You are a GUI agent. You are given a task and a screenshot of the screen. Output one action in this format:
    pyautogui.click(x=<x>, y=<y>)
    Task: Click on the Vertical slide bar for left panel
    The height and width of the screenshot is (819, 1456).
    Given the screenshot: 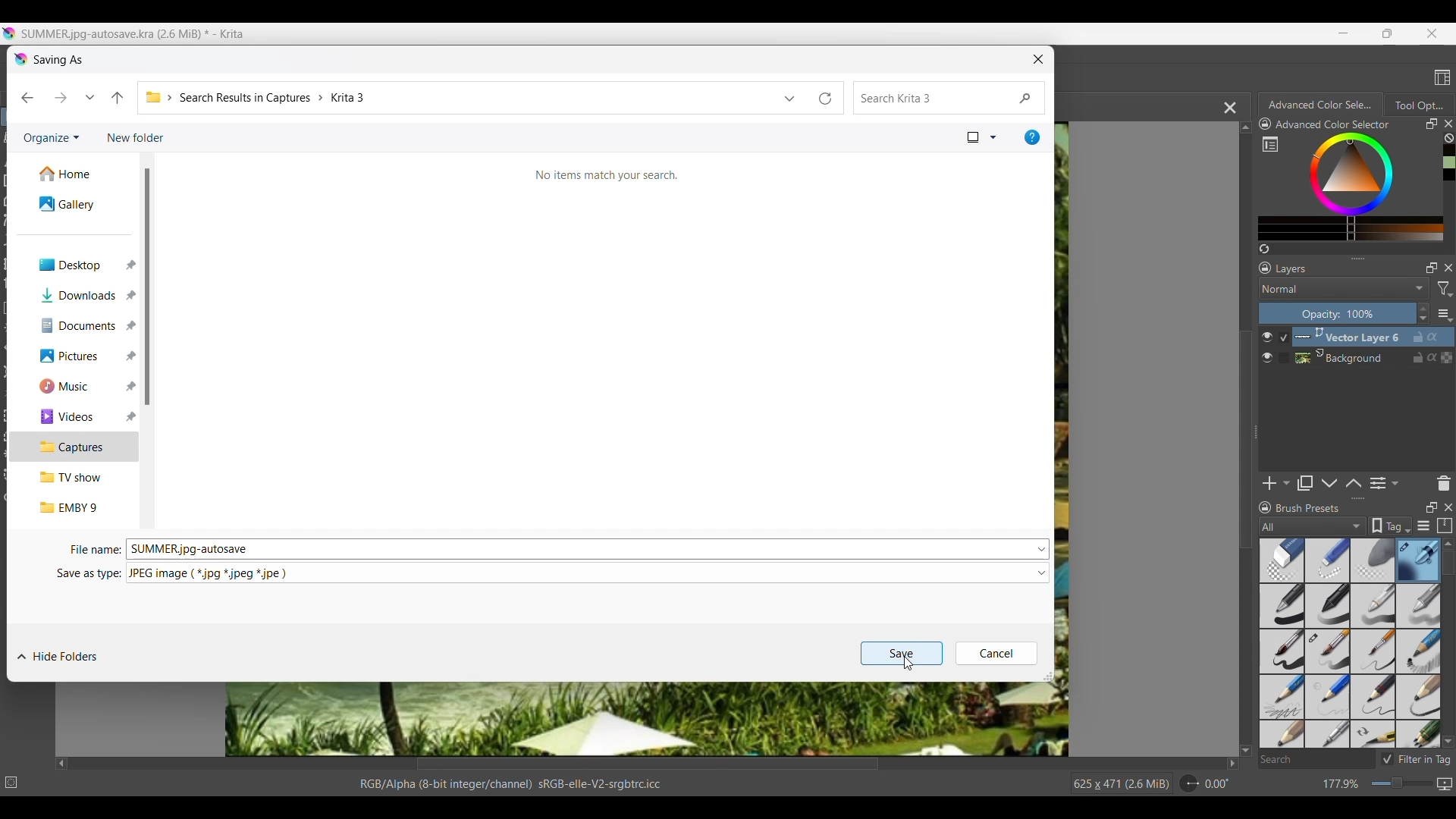 What is the action you would take?
    pyautogui.click(x=146, y=287)
    